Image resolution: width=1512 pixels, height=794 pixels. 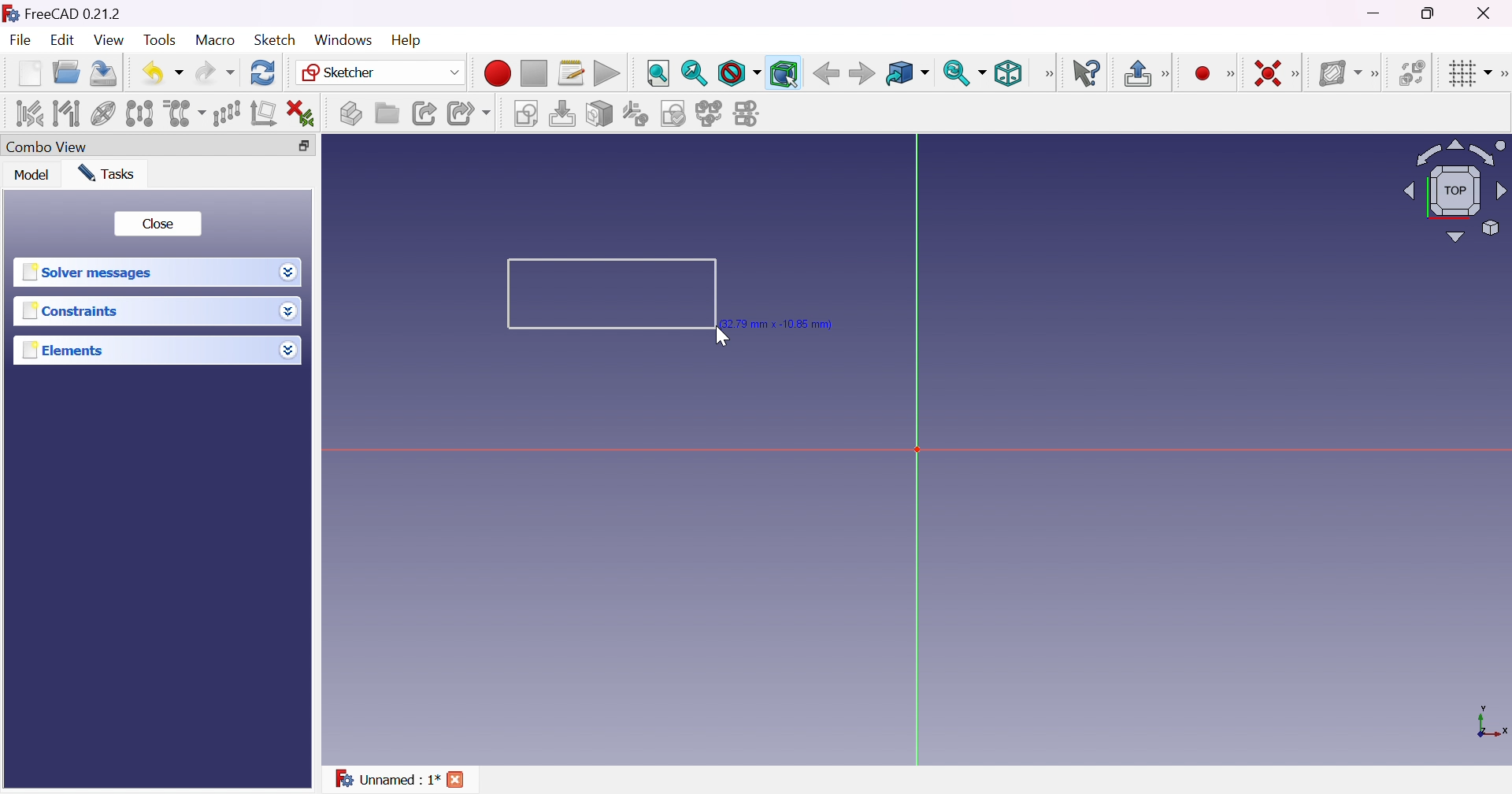 I want to click on Drop down, so click(x=289, y=351).